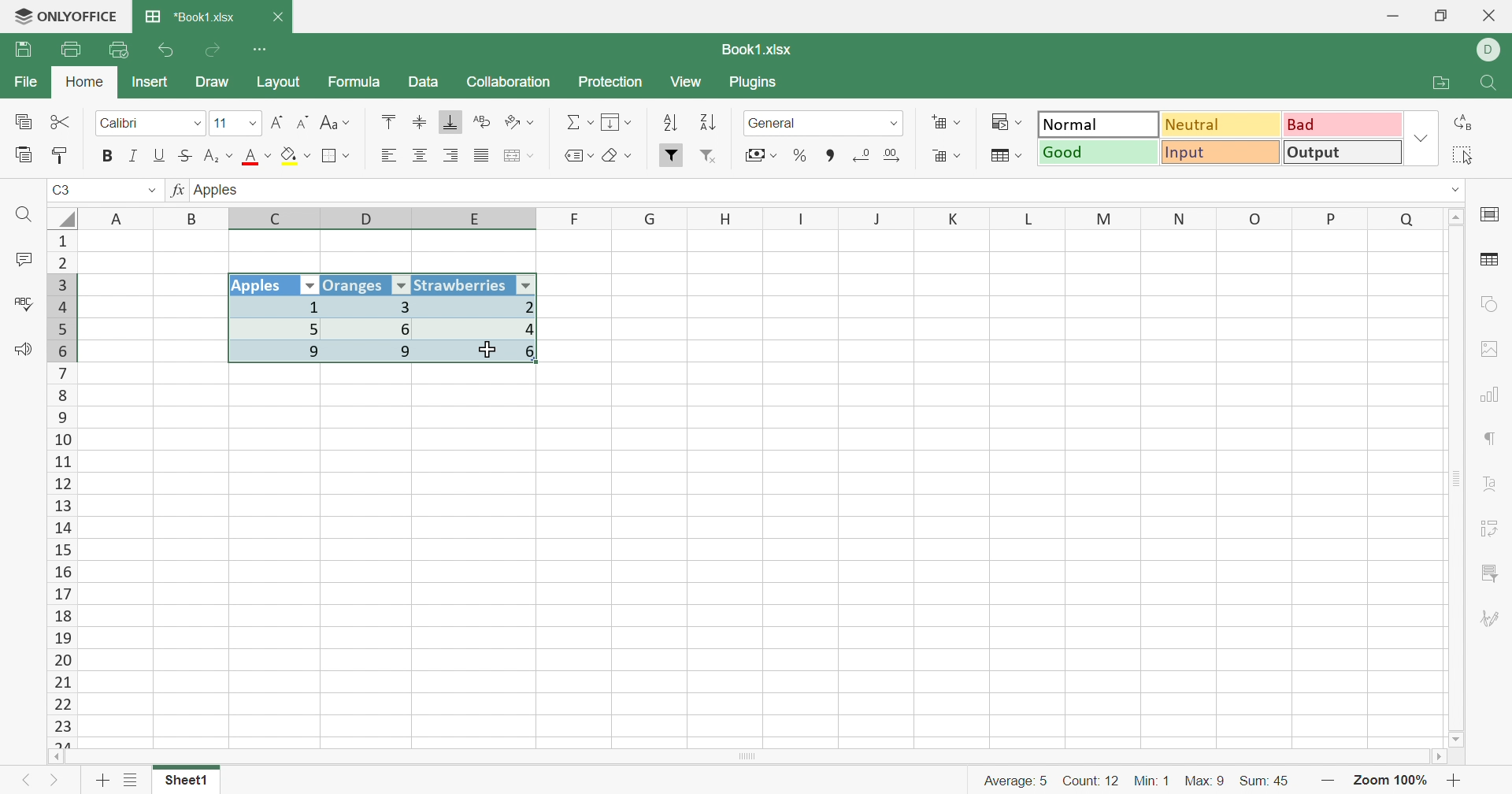 The height and width of the screenshot is (794, 1512). I want to click on Cut, so click(61, 121).